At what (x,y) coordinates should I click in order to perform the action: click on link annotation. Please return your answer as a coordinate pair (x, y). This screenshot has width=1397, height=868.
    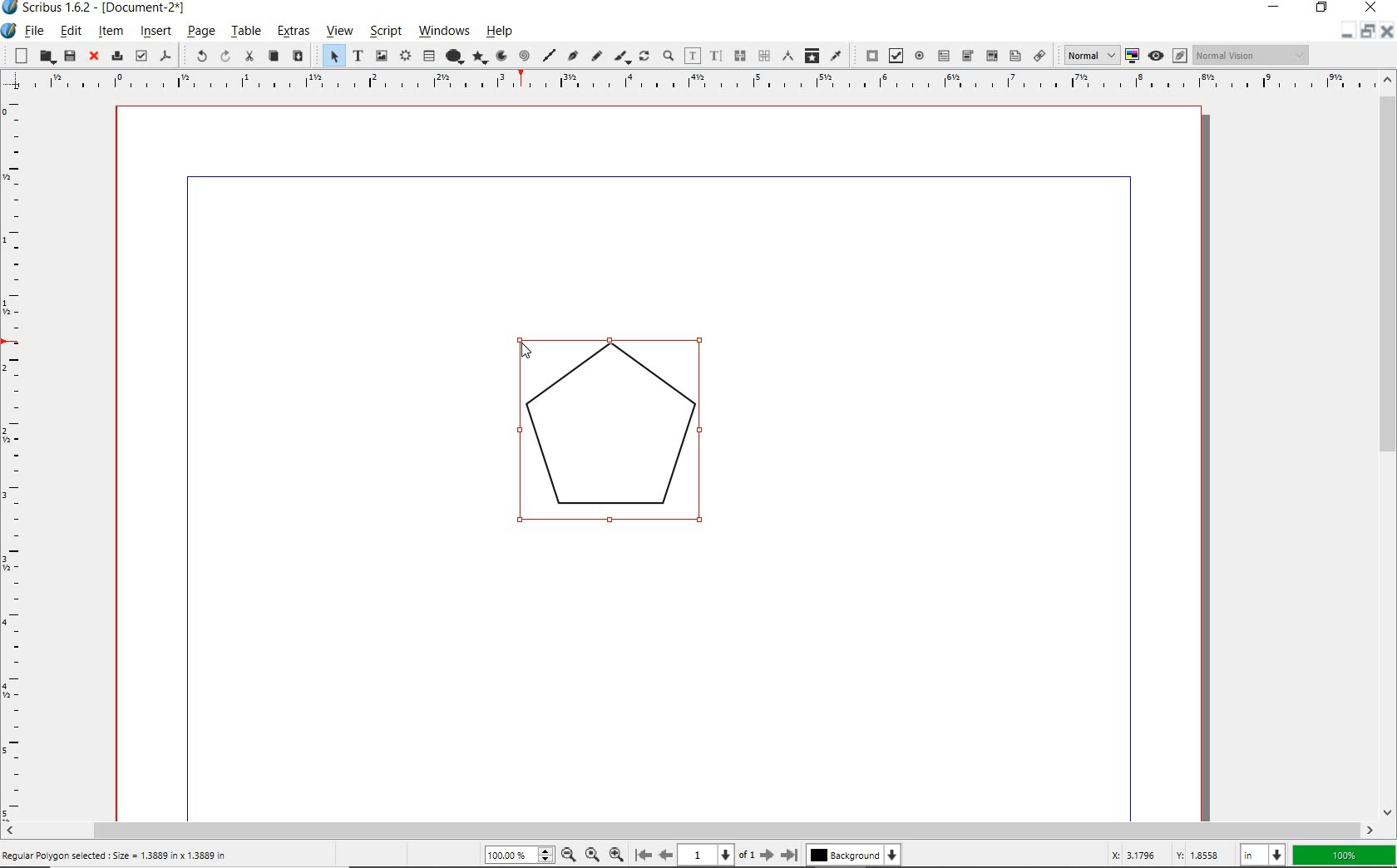
    Looking at the image, I should click on (1039, 57).